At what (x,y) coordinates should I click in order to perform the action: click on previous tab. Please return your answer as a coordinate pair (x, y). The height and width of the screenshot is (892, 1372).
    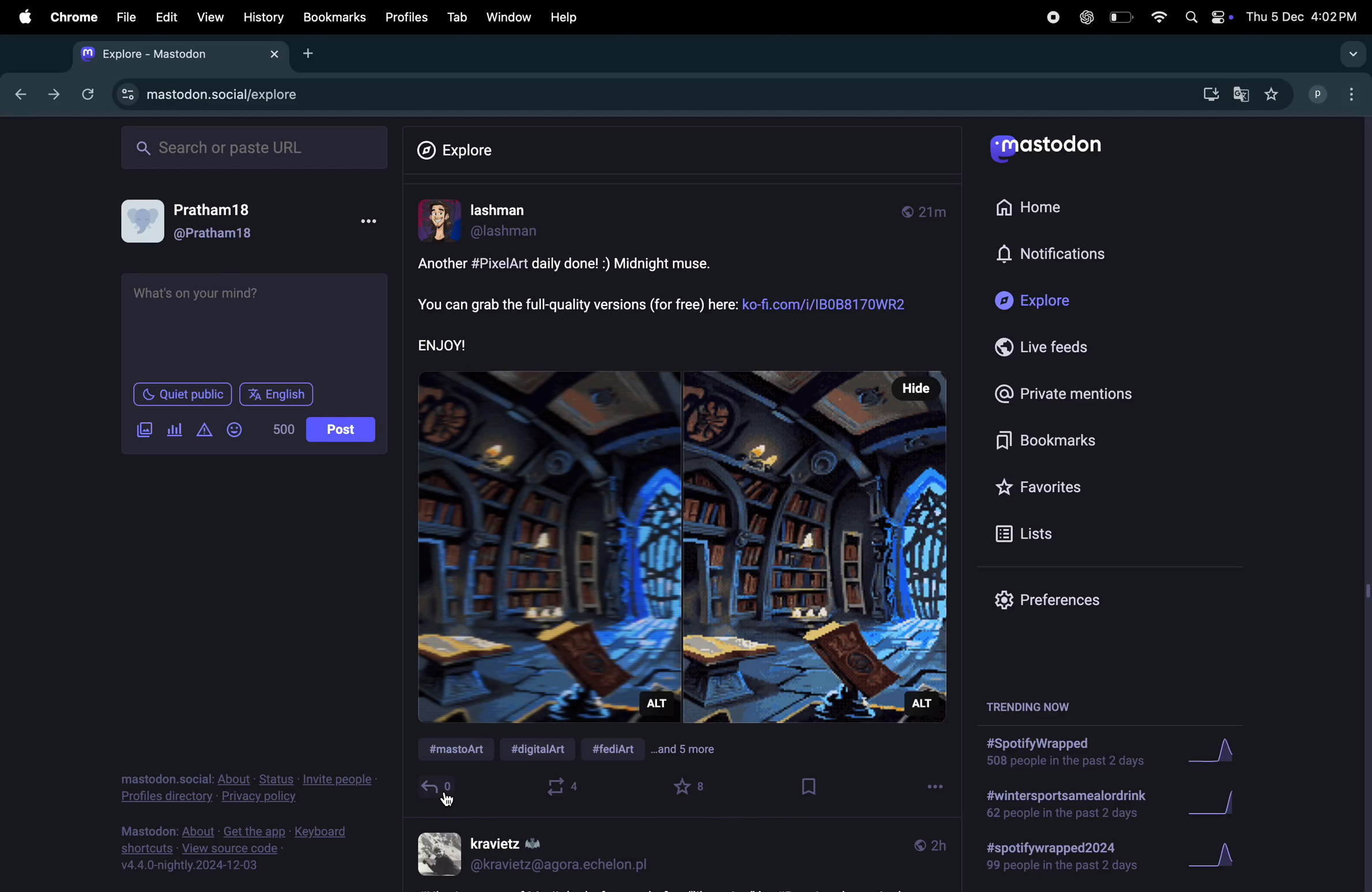
    Looking at the image, I should click on (17, 96).